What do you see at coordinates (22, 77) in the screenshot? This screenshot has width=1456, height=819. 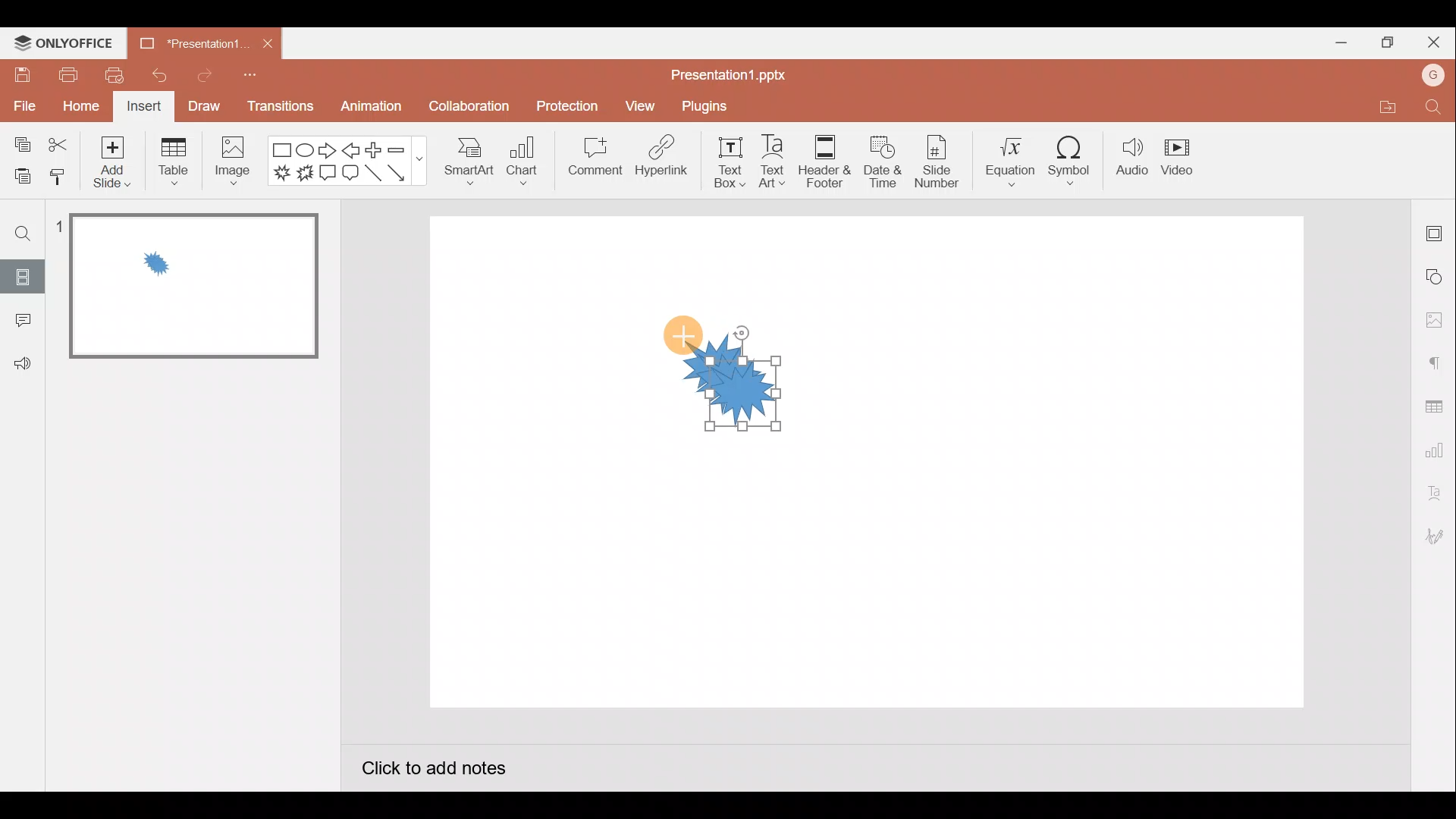 I see `Save` at bounding box center [22, 77].